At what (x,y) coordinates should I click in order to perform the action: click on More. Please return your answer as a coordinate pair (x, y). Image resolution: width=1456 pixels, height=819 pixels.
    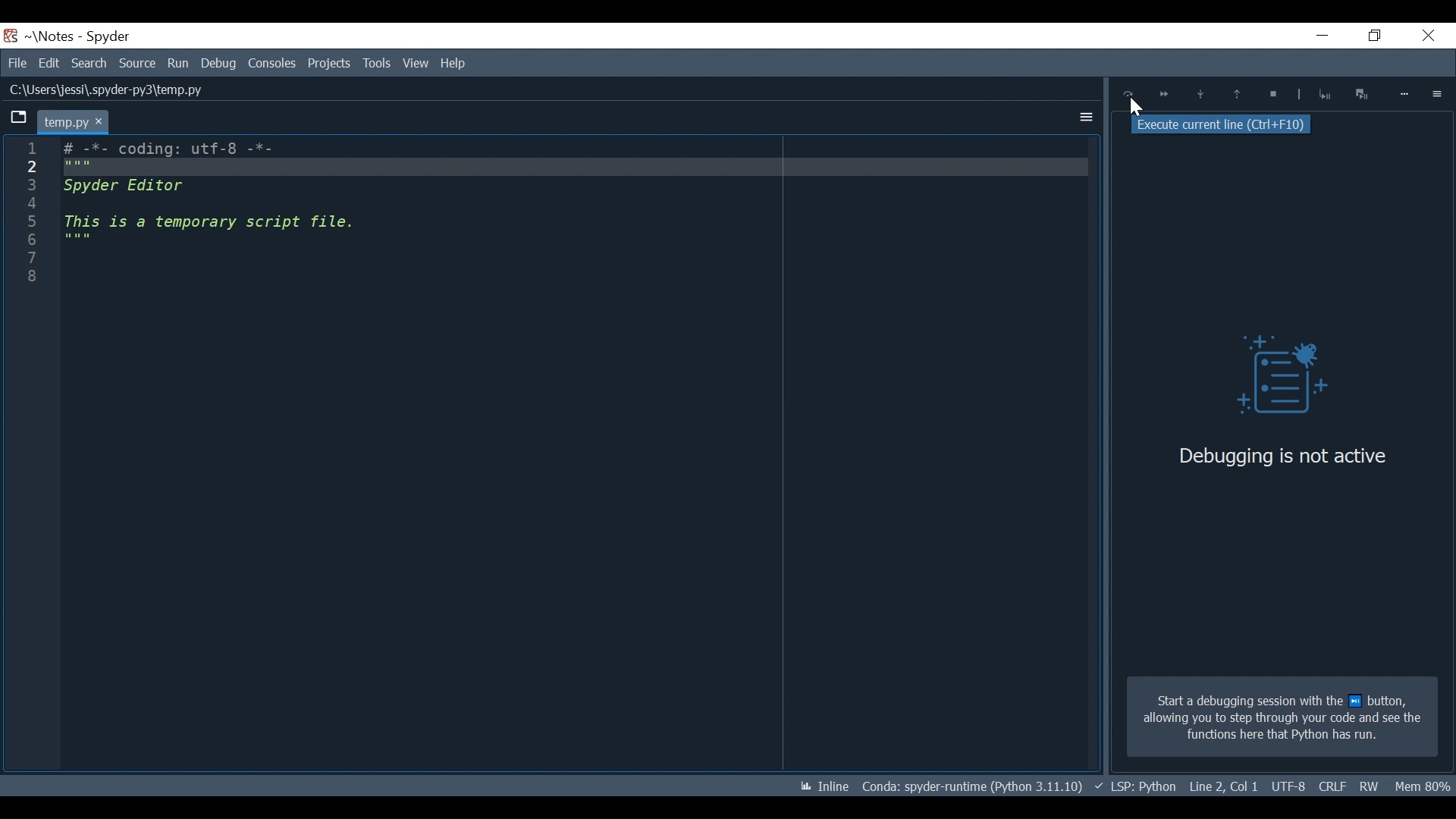
    Looking at the image, I should click on (1405, 94).